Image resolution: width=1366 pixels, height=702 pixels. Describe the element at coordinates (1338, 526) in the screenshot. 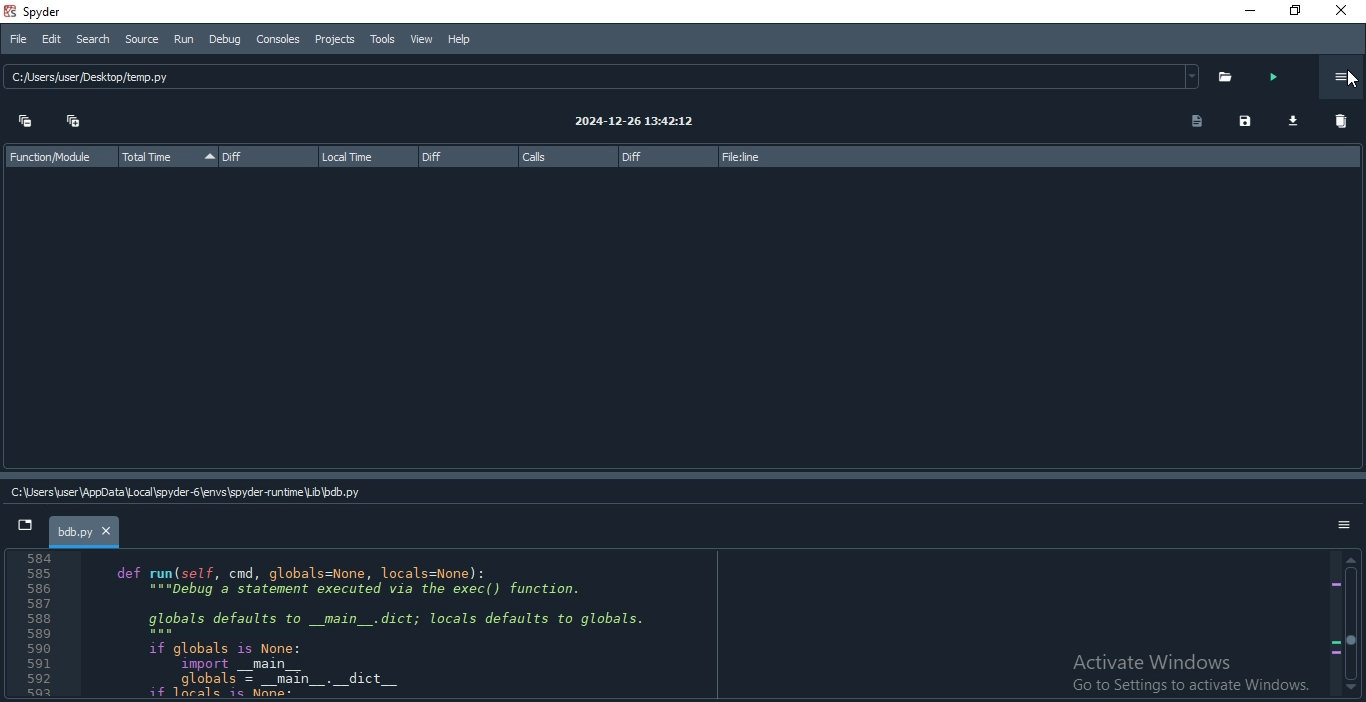

I see `options` at that location.